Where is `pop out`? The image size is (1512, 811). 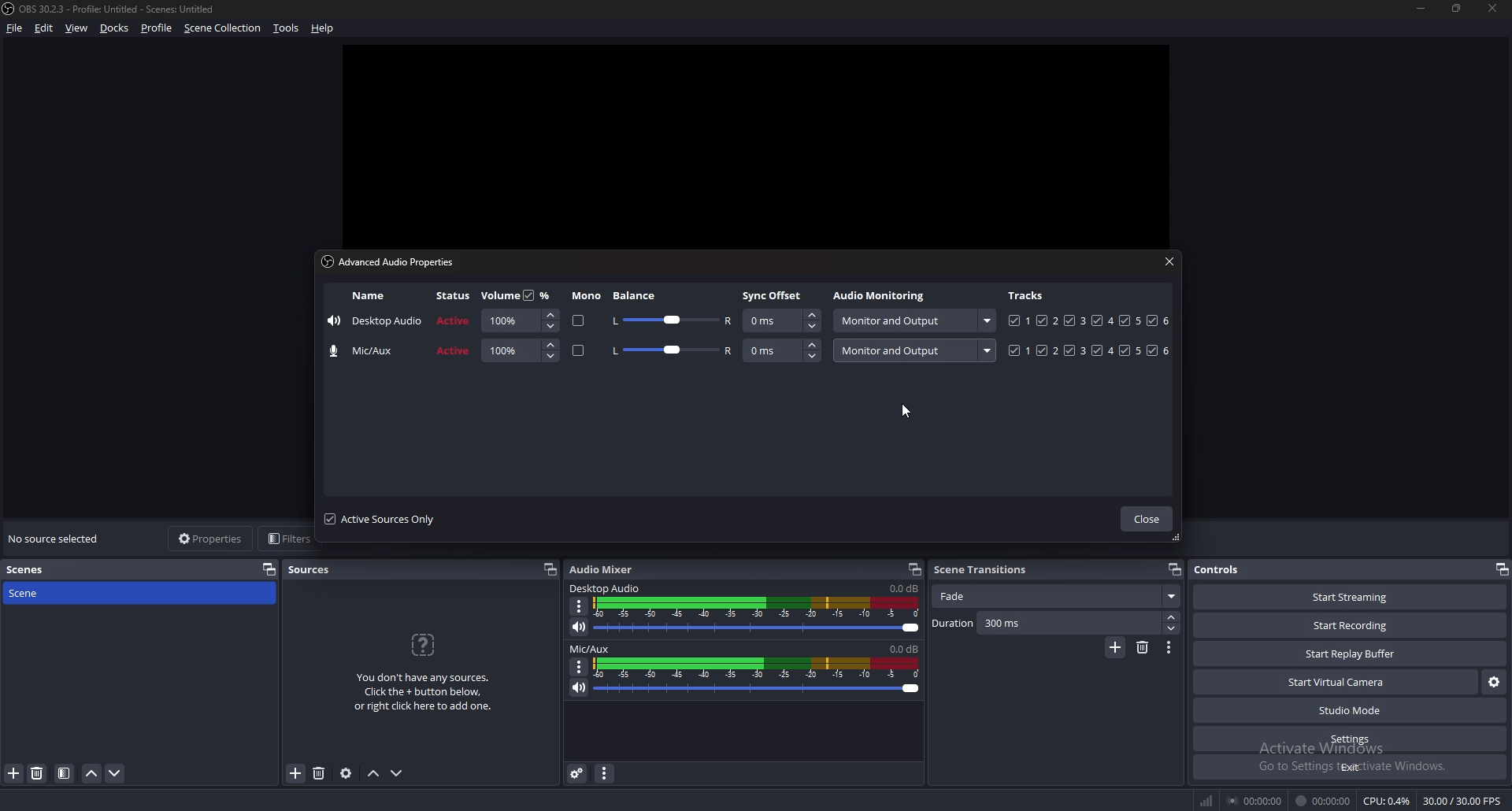 pop out is located at coordinates (269, 569).